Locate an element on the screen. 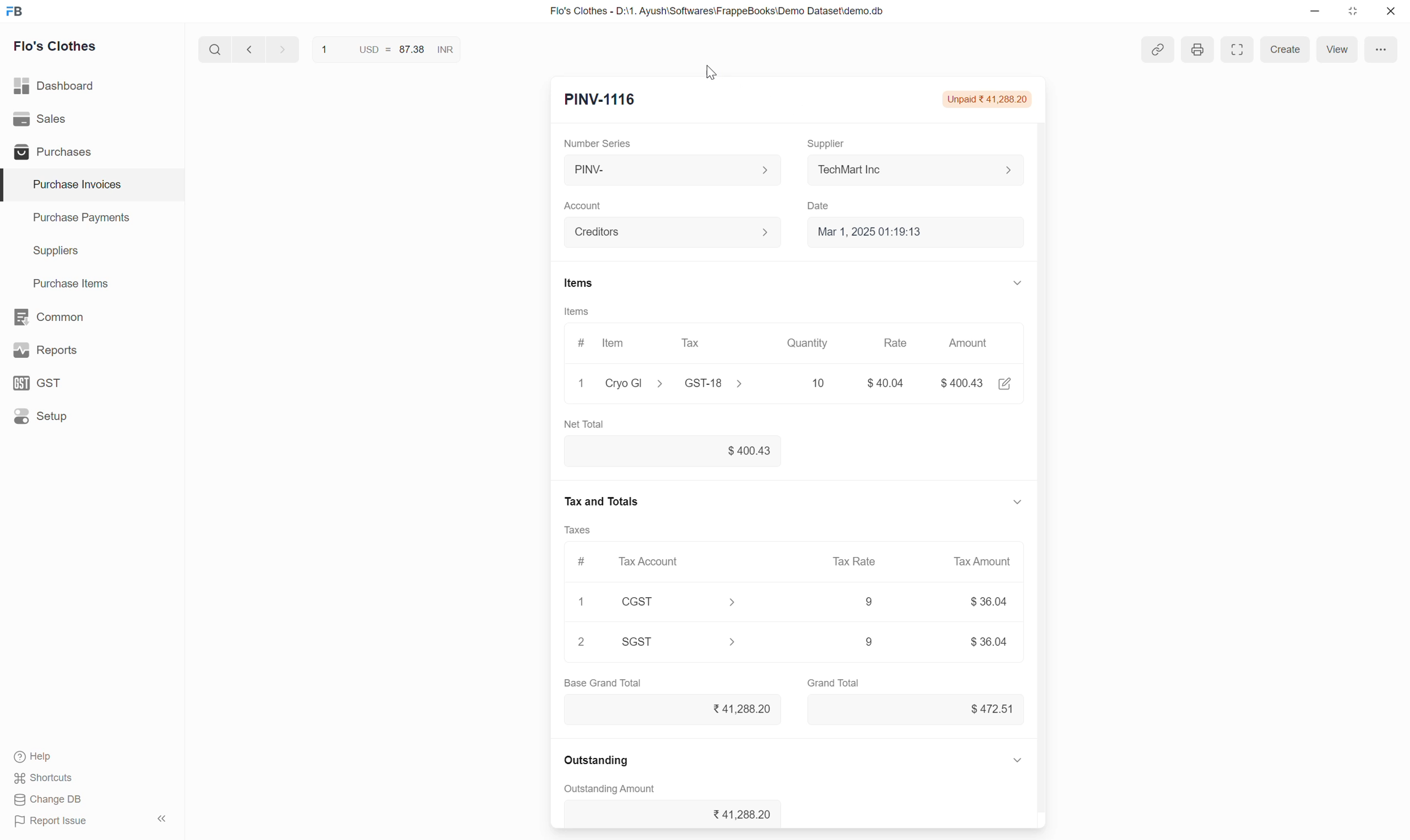 This screenshot has height=840, width=1410. SGST is located at coordinates (685, 643).